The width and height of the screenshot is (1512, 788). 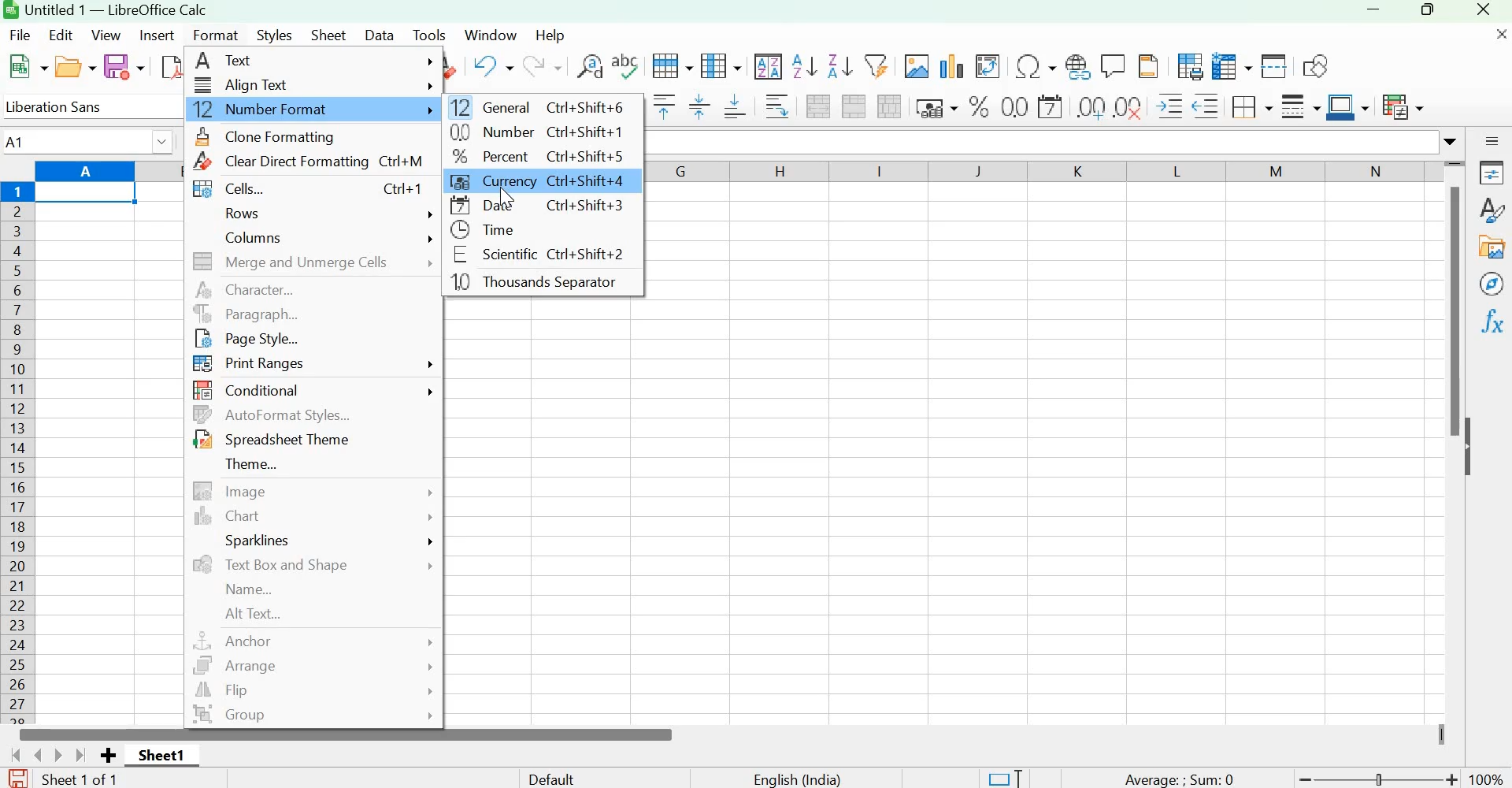 I want to click on Insert or Edit pivot table, so click(x=987, y=64).